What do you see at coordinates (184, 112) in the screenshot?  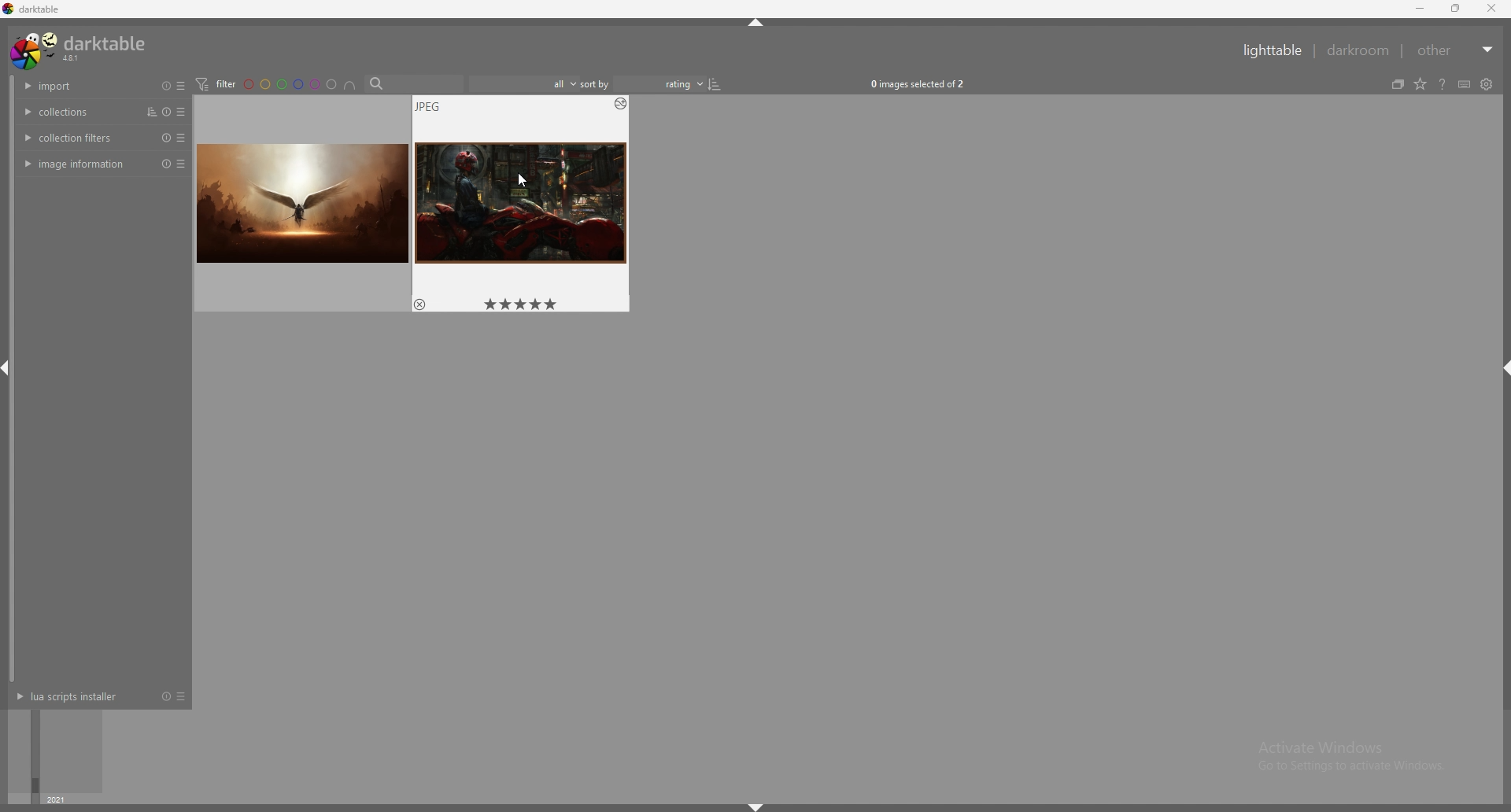 I see `presets` at bounding box center [184, 112].